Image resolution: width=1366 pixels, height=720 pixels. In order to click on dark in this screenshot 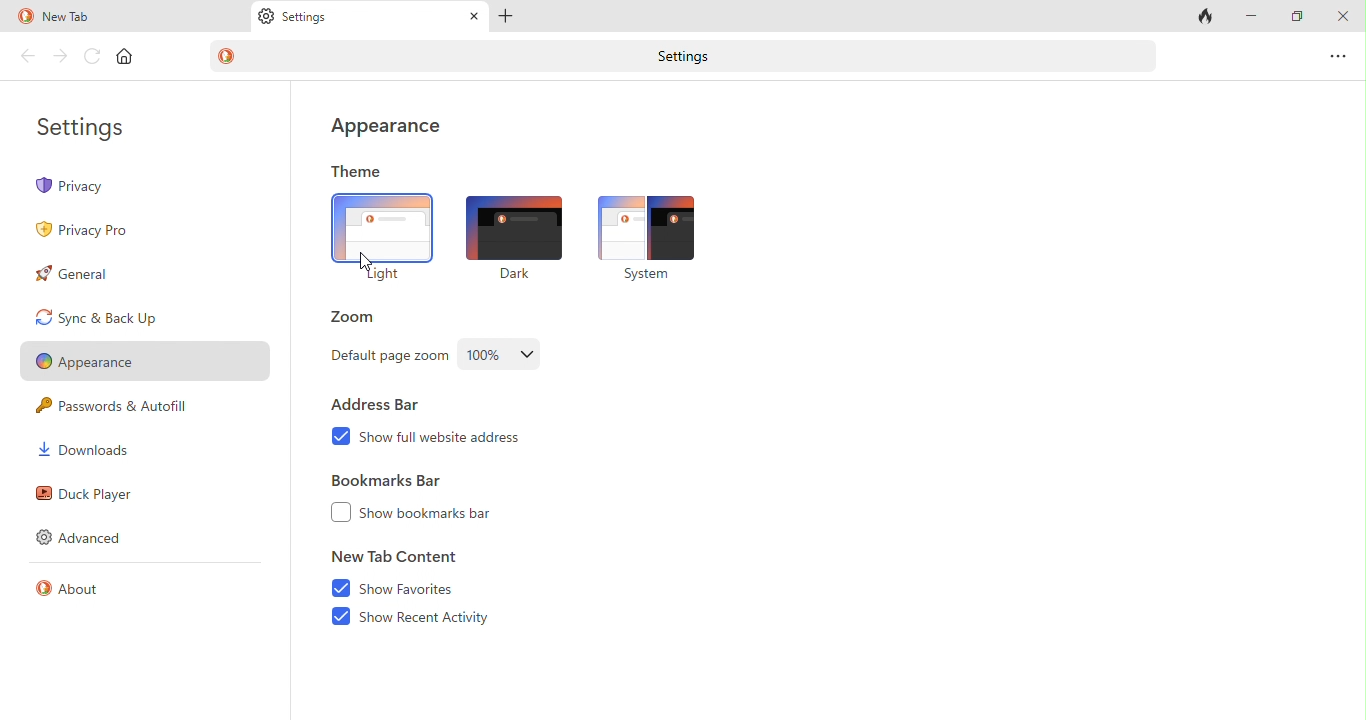, I will do `click(509, 235)`.